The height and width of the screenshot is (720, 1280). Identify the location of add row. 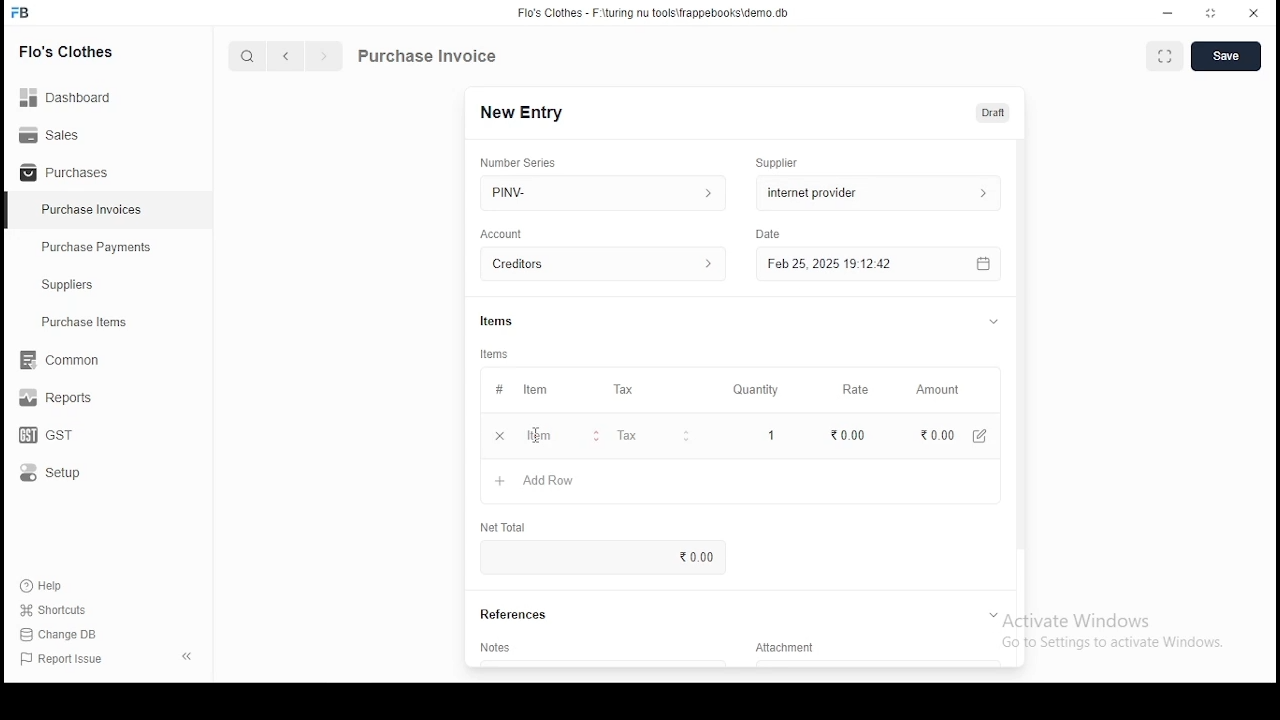
(551, 436).